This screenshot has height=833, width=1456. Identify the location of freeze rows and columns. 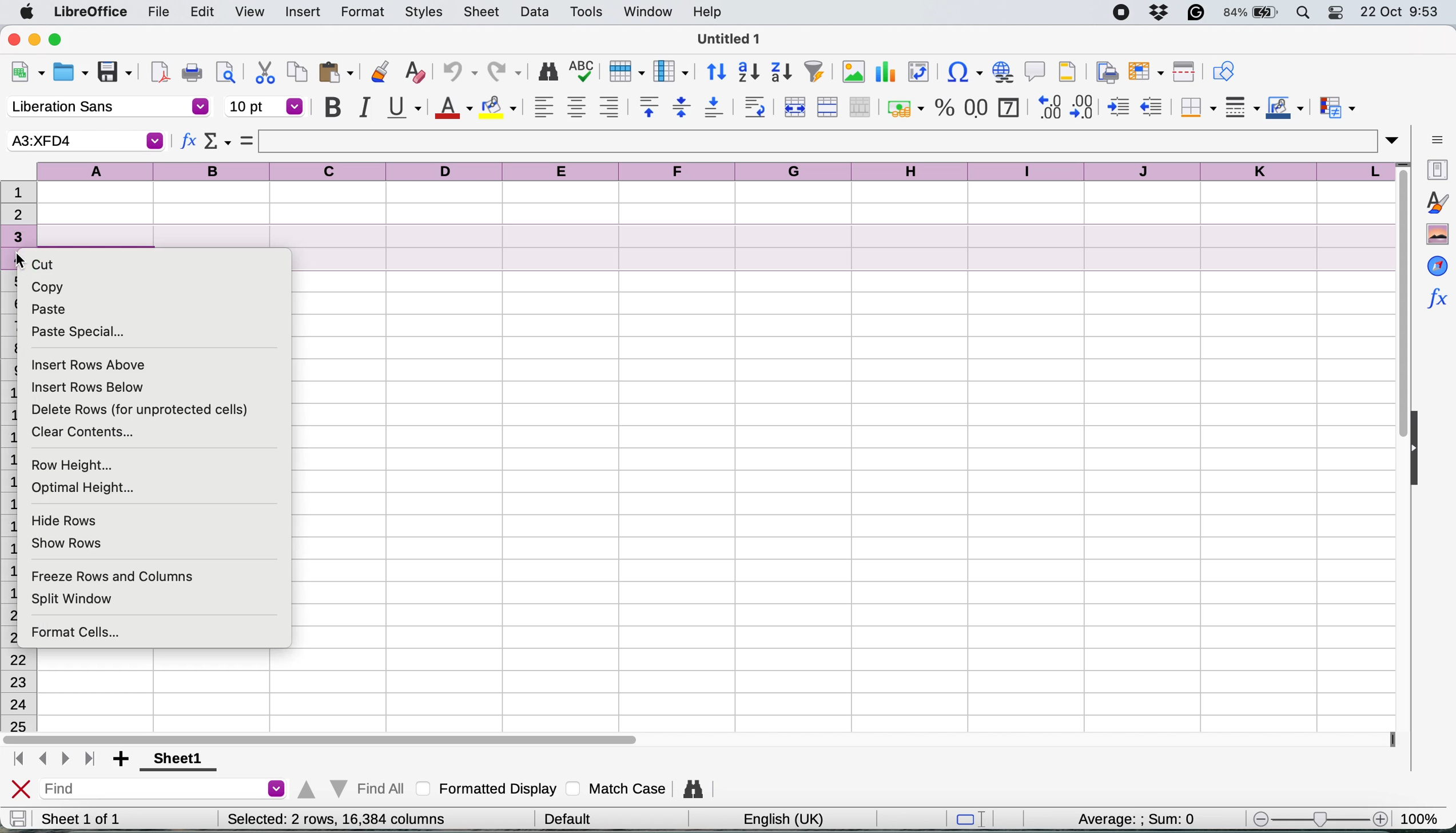
(1143, 72).